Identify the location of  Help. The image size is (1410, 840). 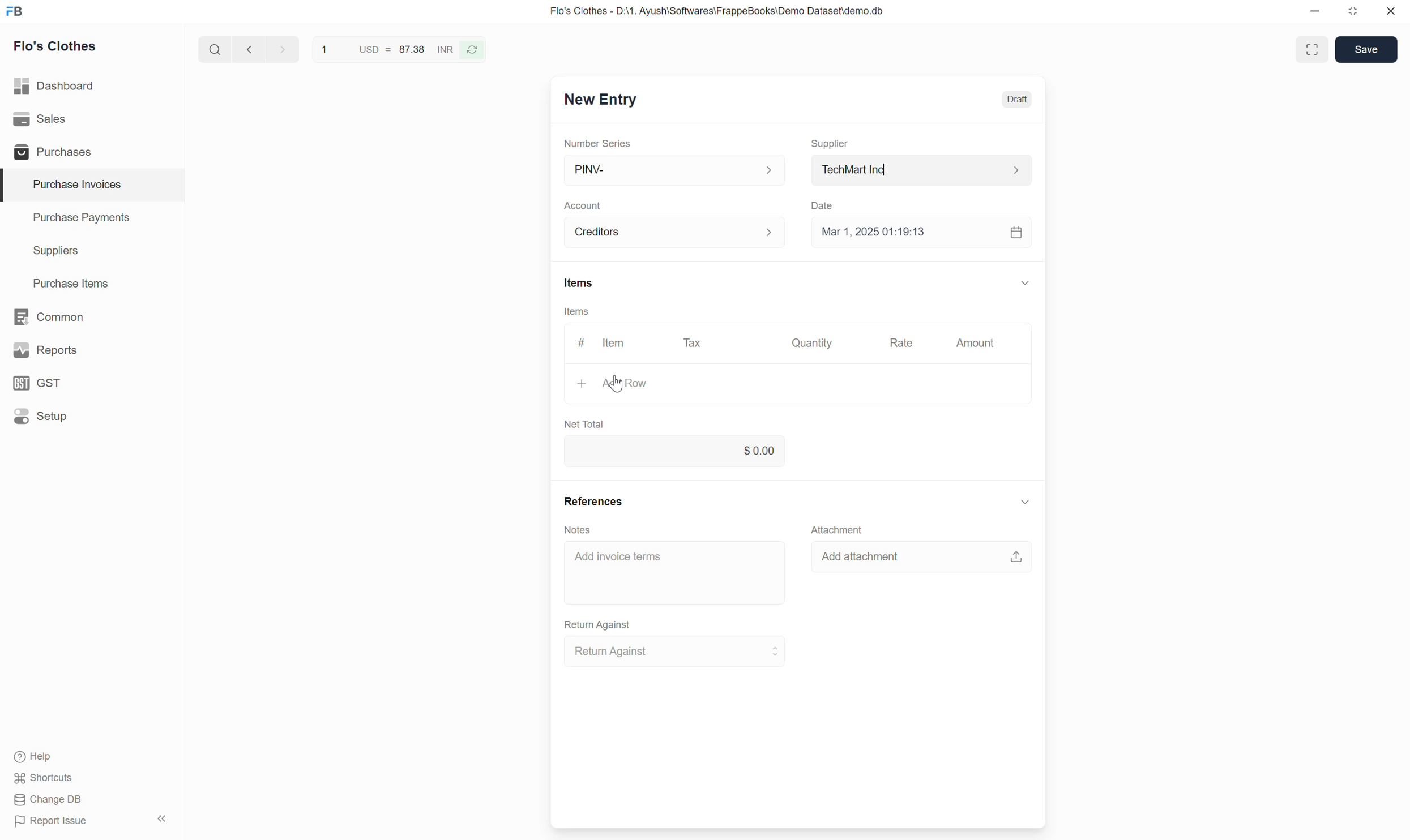
(46, 758).